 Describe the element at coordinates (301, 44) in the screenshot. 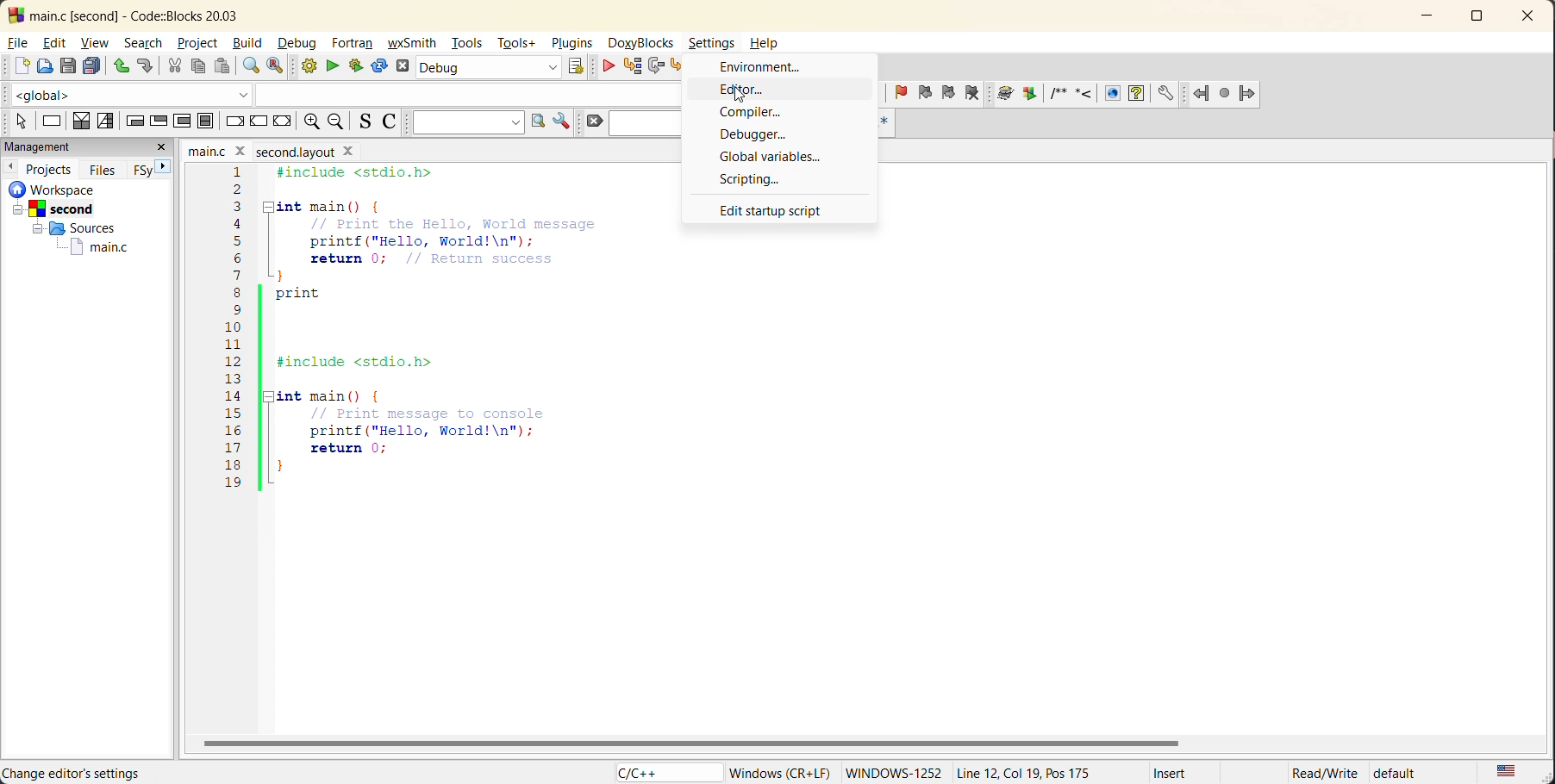

I see `debug` at that location.